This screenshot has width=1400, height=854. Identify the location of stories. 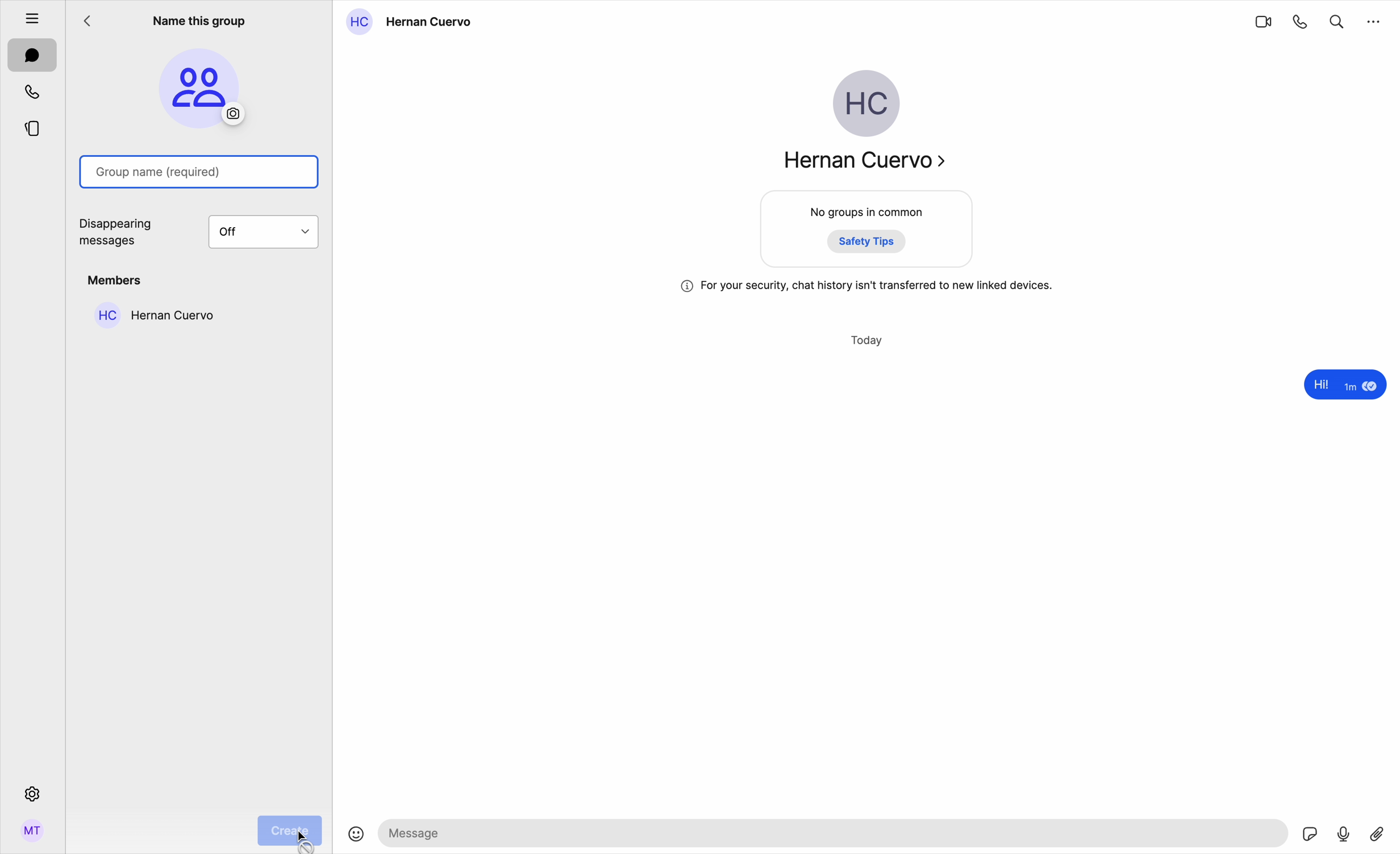
(32, 127).